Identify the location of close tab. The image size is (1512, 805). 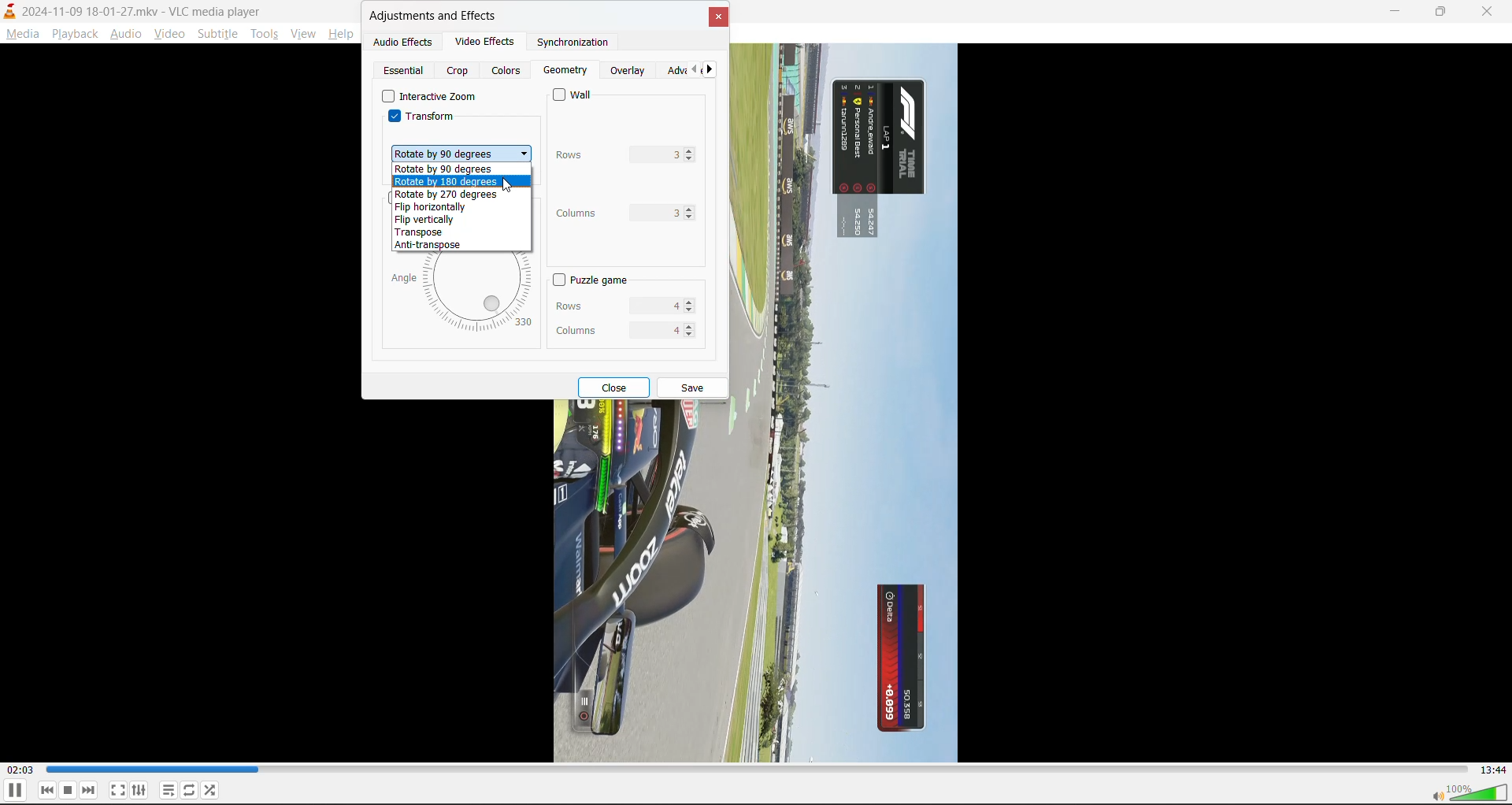
(718, 21).